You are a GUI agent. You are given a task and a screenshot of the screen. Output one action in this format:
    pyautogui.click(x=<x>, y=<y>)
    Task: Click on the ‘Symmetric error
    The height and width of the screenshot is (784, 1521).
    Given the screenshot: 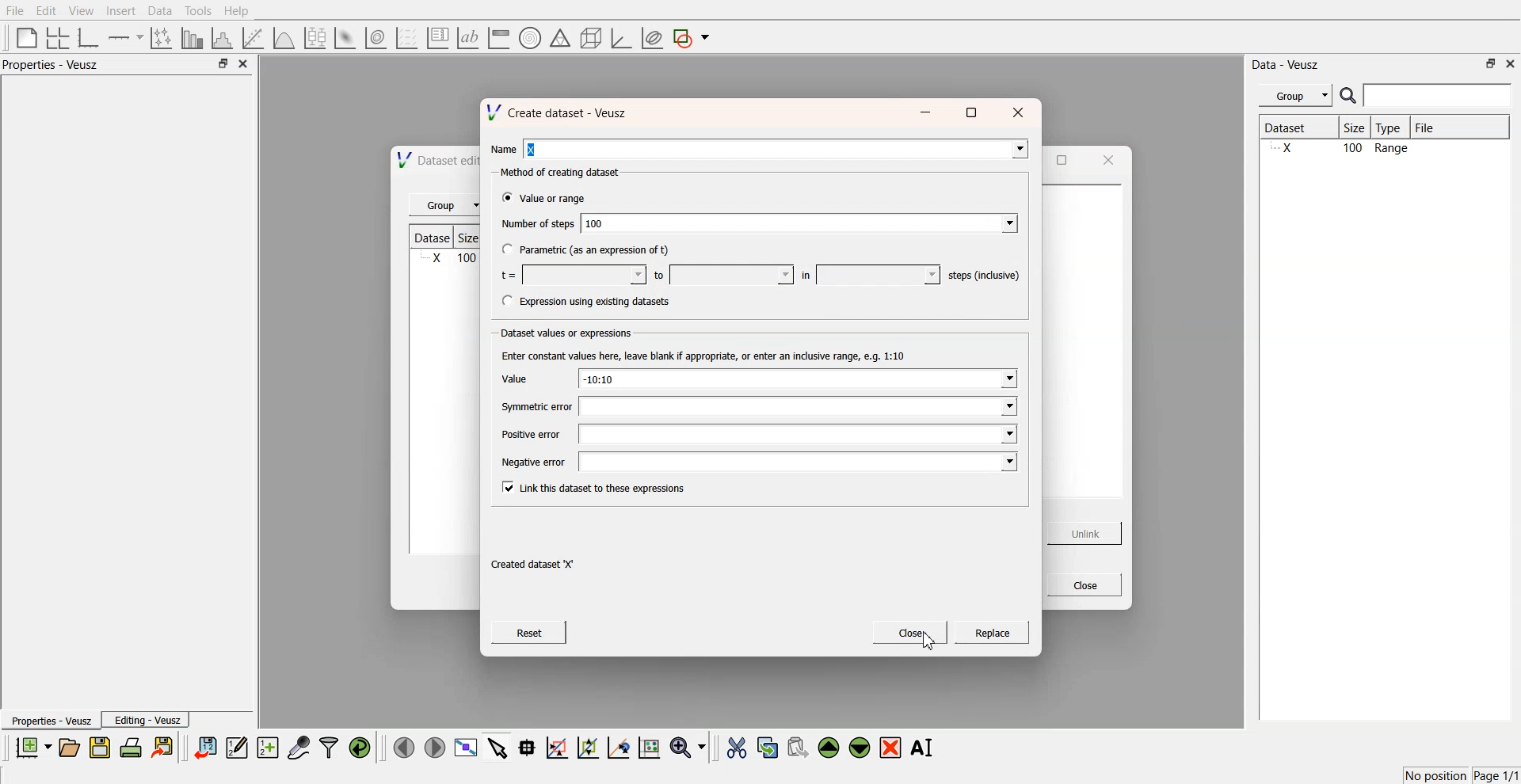 What is the action you would take?
    pyautogui.click(x=536, y=408)
    